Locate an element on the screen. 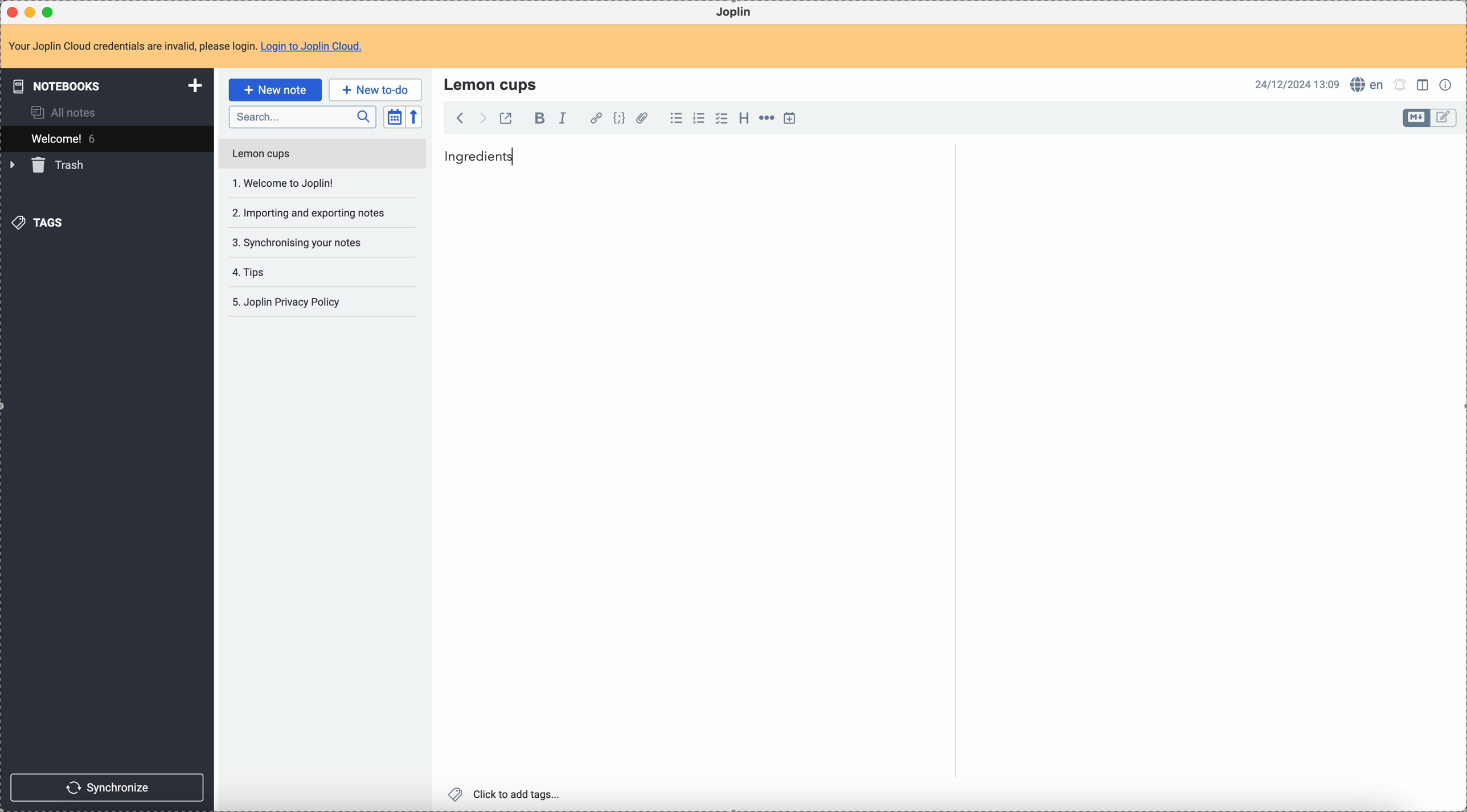 Image resolution: width=1467 pixels, height=812 pixels. reverse sort order is located at coordinates (416, 117).